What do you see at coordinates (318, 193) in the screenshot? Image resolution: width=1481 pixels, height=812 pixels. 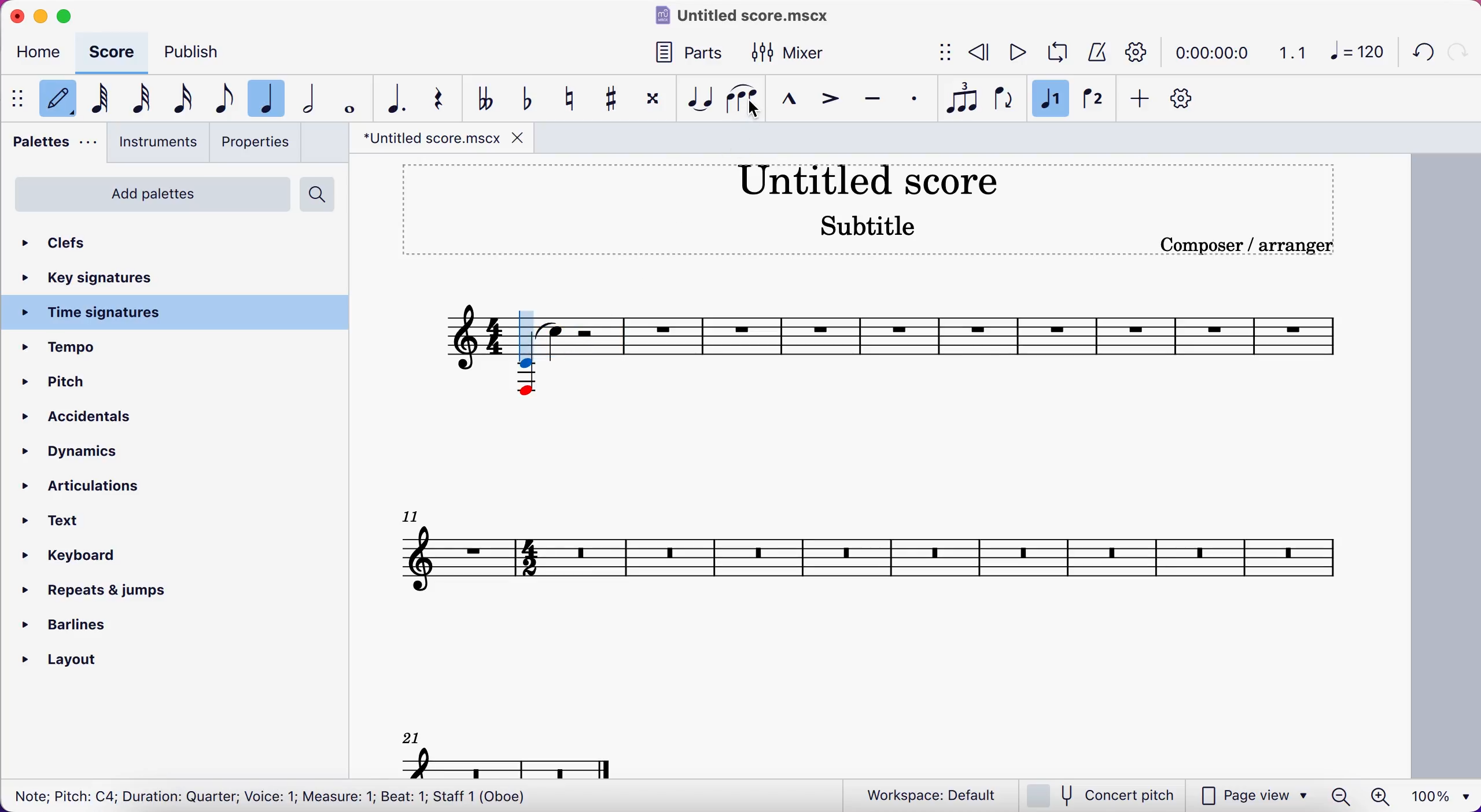 I see `search palette` at bounding box center [318, 193].